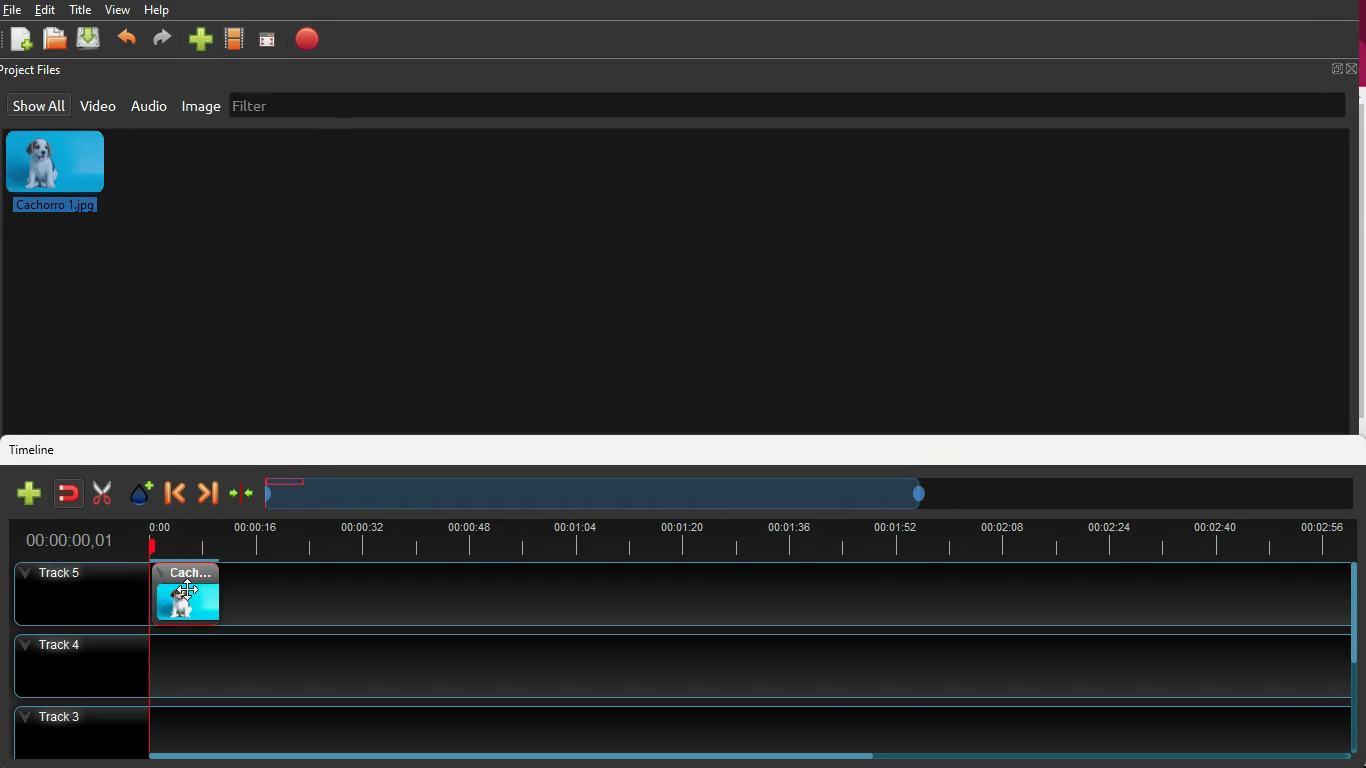 This screenshot has height=768, width=1366. Describe the element at coordinates (12, 9) in the screenshot. I see `file` at that location.